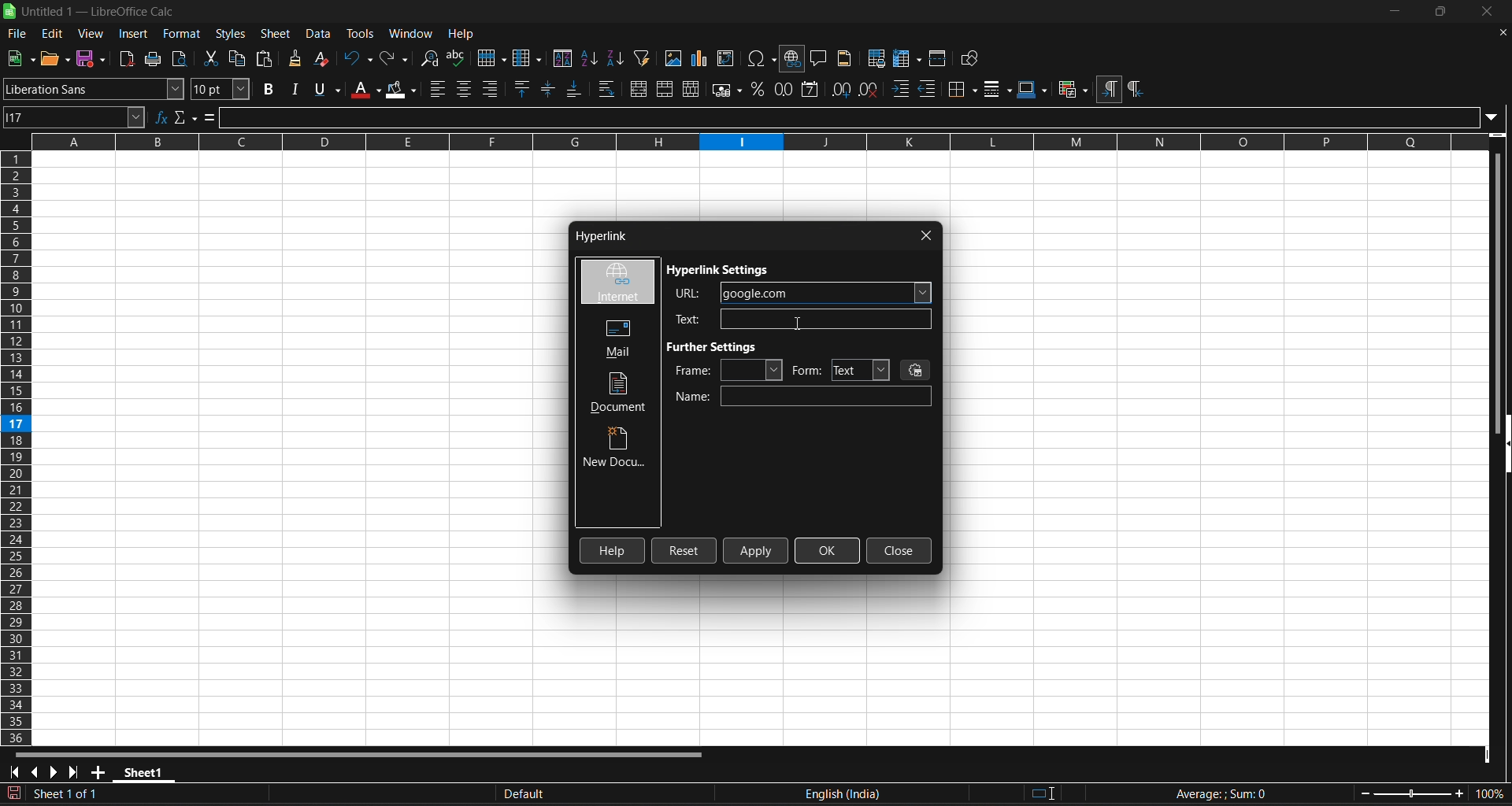  Describe the element at coordinates (927, 235) in the screenshot. I see `close` at that location.